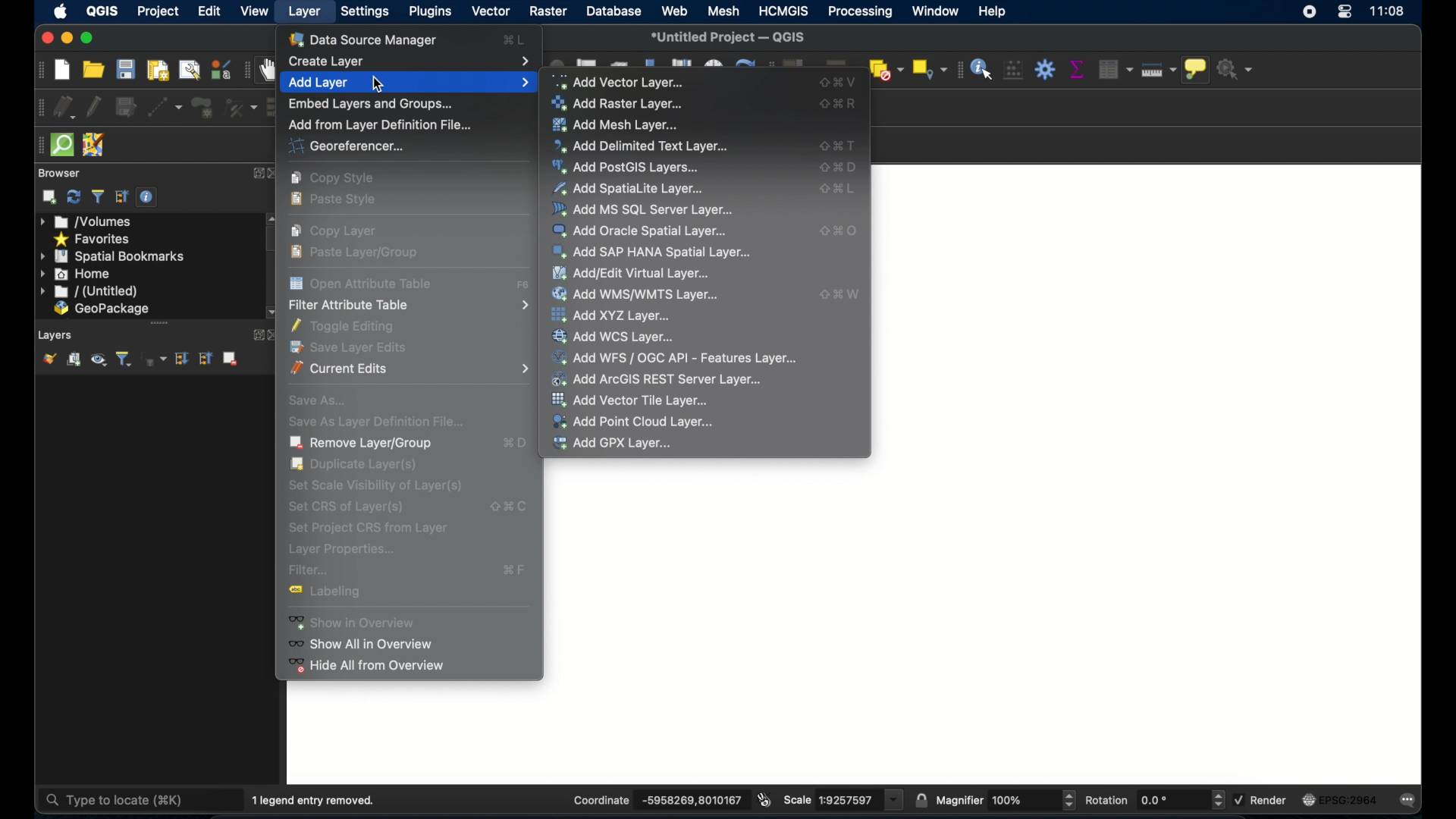 Image resolution: width=1456 pixels, height=819 pixels. Describe the element at coordinates (620, 124) in the screenshot. I see `add mesh layer` at that location.